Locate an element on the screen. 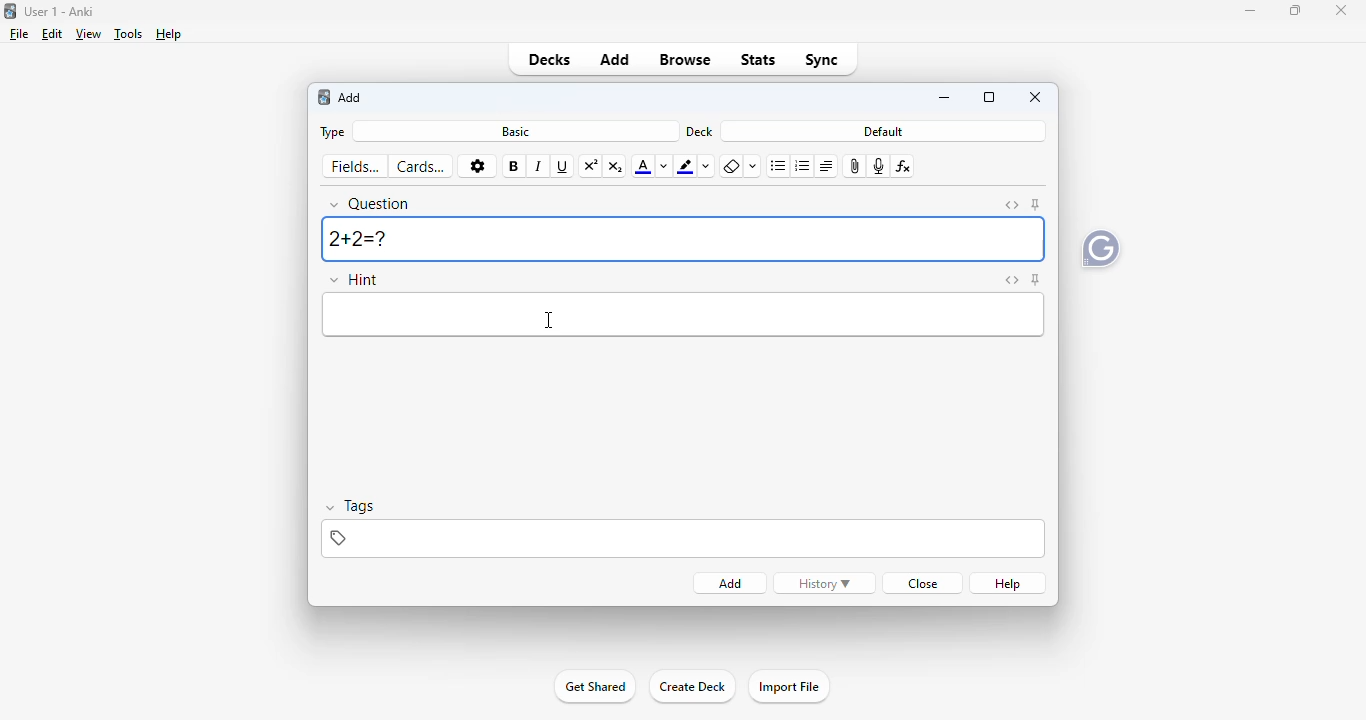  subscript is located at coordinates (616, 168).